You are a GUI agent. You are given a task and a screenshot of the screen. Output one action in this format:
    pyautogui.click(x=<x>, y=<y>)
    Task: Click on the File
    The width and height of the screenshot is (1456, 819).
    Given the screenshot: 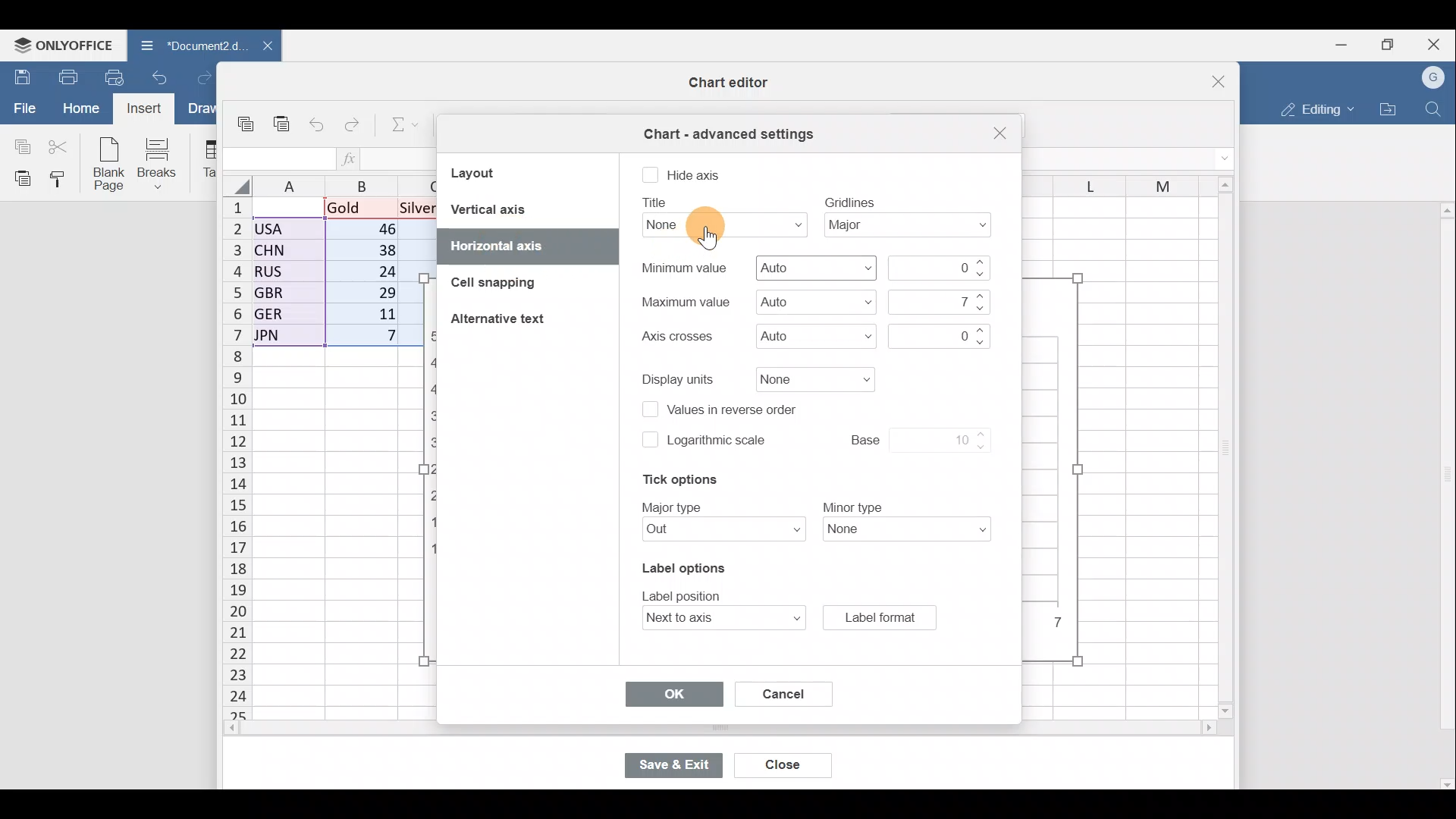 What is the action you would take?
    pyautogui.click(x=22, y=107)
    